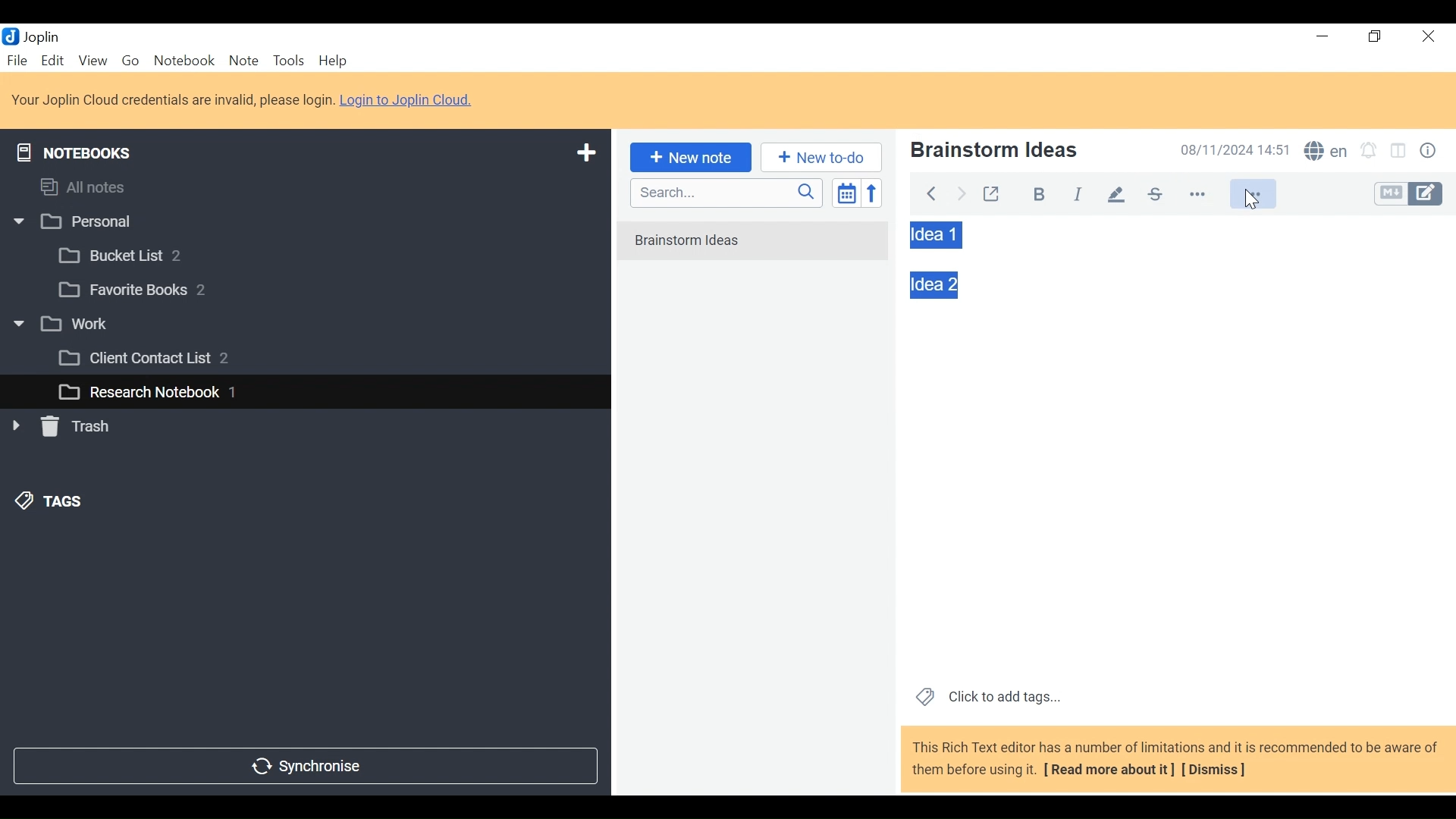 Image resolution: width=1456 pixels, height=819 pixels. Describe the element at coordinates (991, 191) in the screenshot. I see `Toggle external editing` at that location.